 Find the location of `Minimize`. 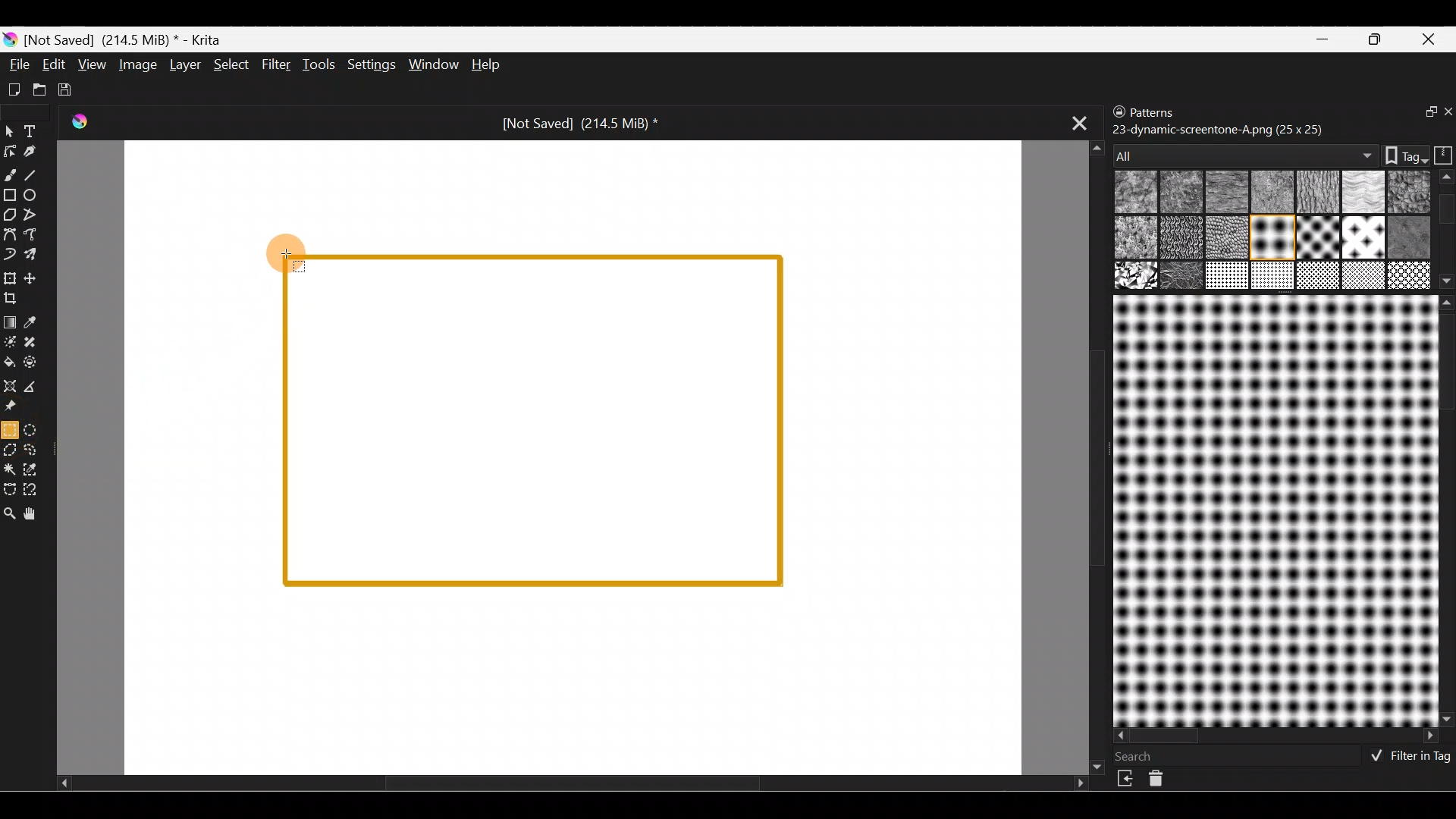

Minimize is located at coordinates (1324, 39).